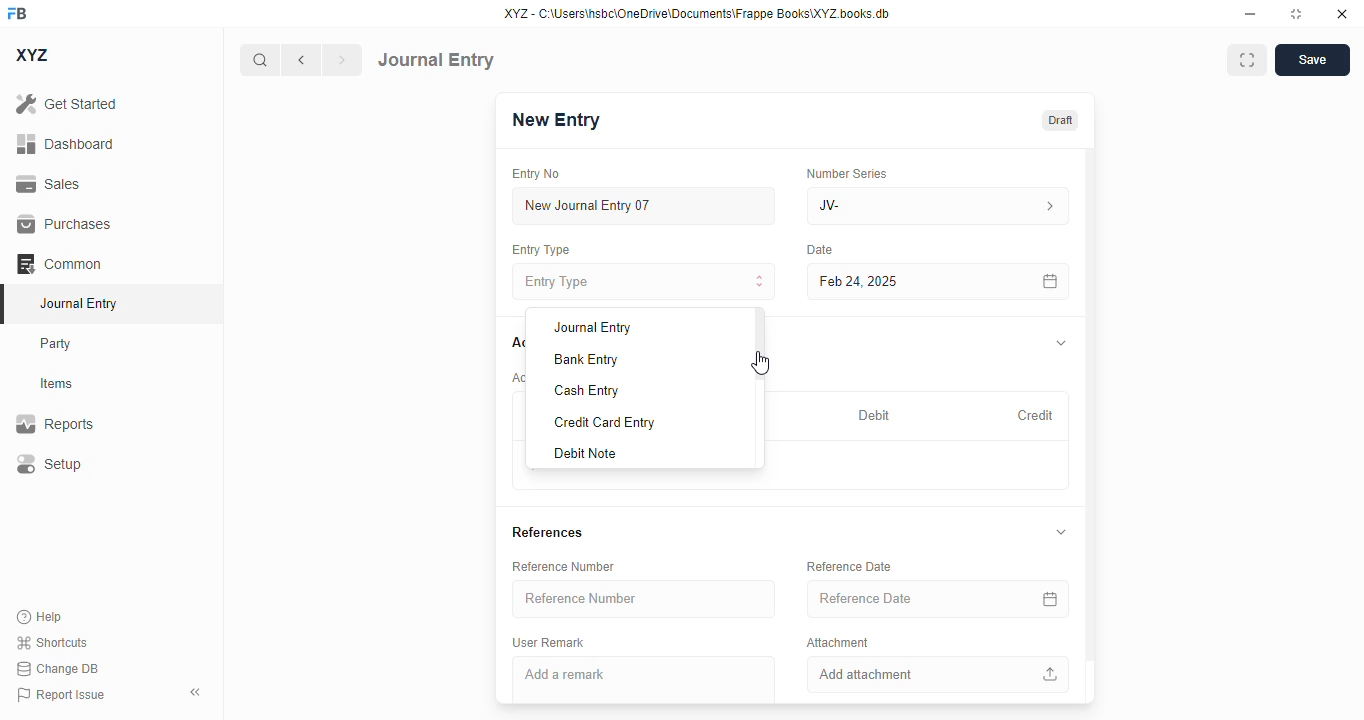  I want to click on accounts, so click(516, 344).